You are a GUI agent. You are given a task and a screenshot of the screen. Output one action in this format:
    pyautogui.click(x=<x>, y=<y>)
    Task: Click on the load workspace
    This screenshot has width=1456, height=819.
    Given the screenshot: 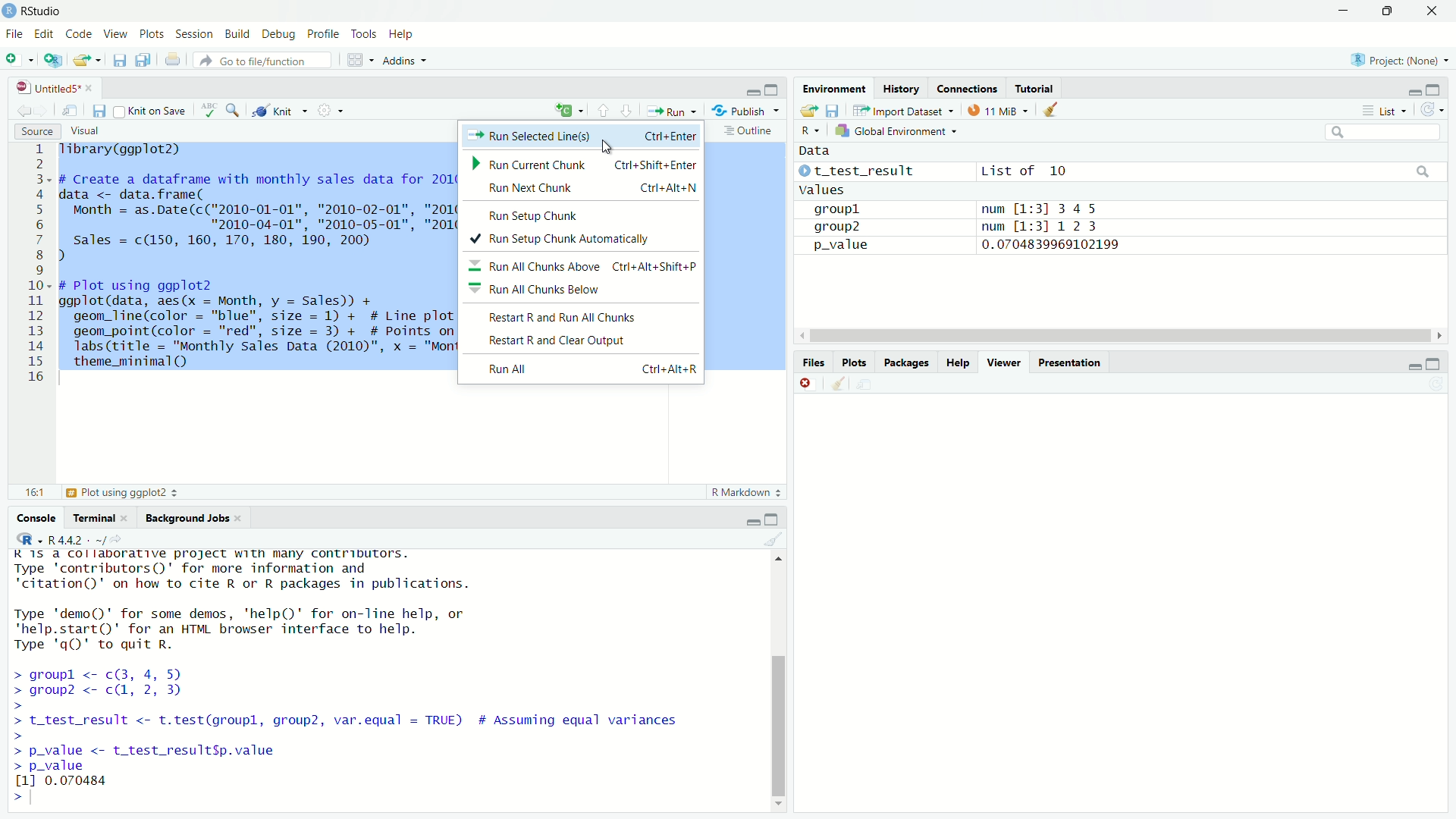 What is the action you would take?
    pyautogui.click(x=809, y=111)
    